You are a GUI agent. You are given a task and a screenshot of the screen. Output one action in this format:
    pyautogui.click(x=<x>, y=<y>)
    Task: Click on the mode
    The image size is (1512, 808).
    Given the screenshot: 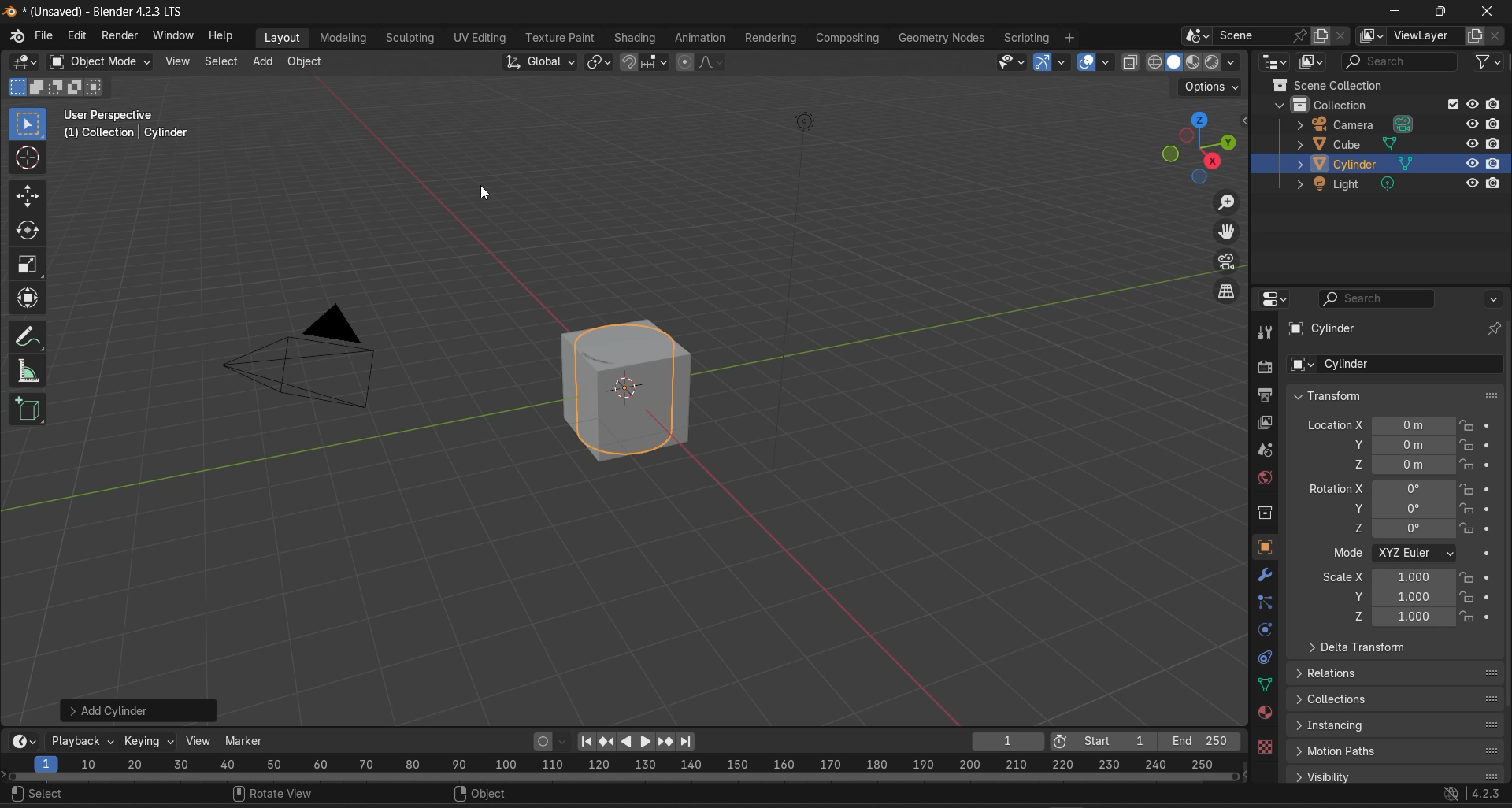 What is the action you would take?
    pyautogui.click(x=1347, y=554)
    